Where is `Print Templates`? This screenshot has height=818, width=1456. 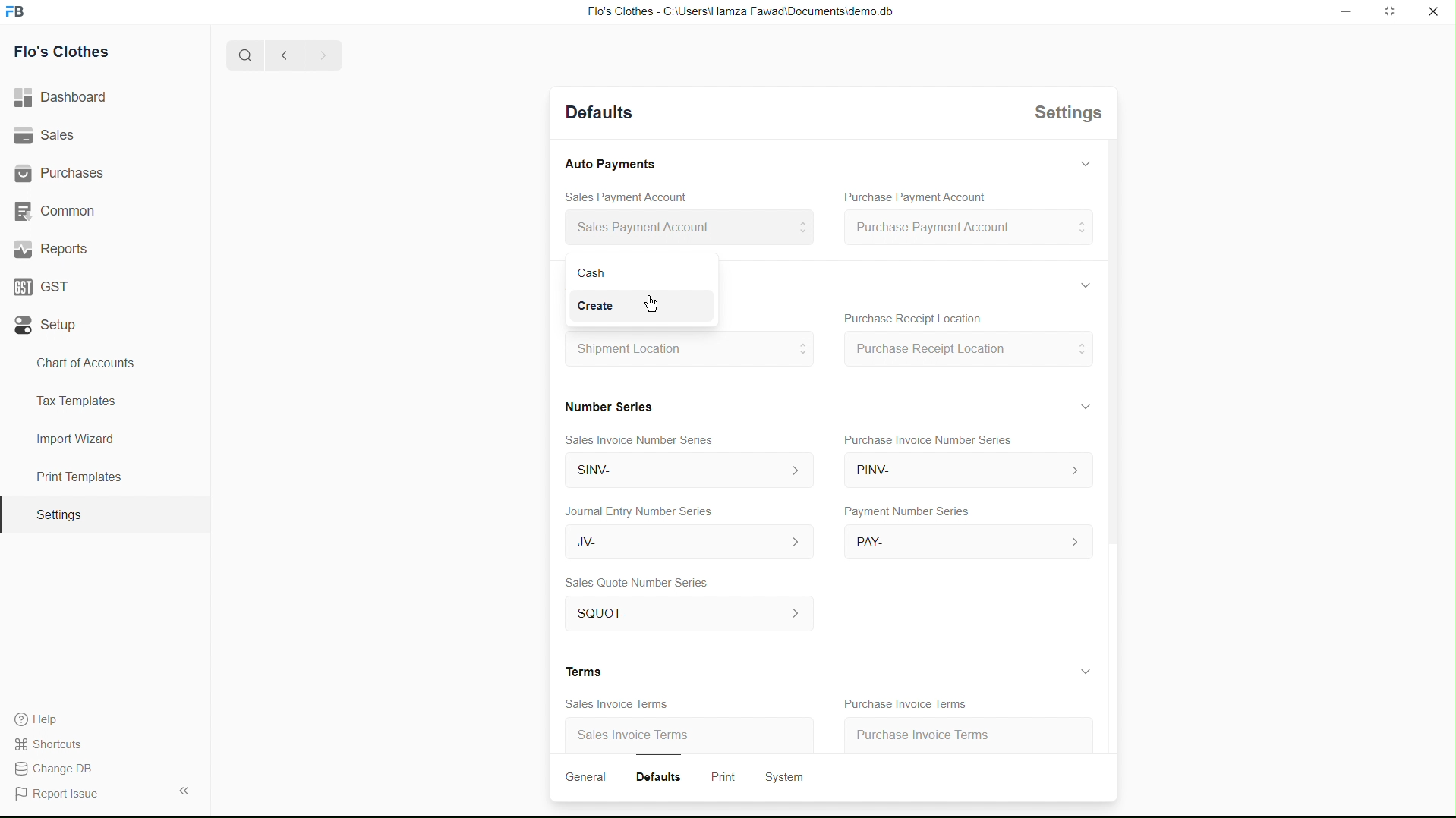
Print Templates is located at coordinates (77, 477).